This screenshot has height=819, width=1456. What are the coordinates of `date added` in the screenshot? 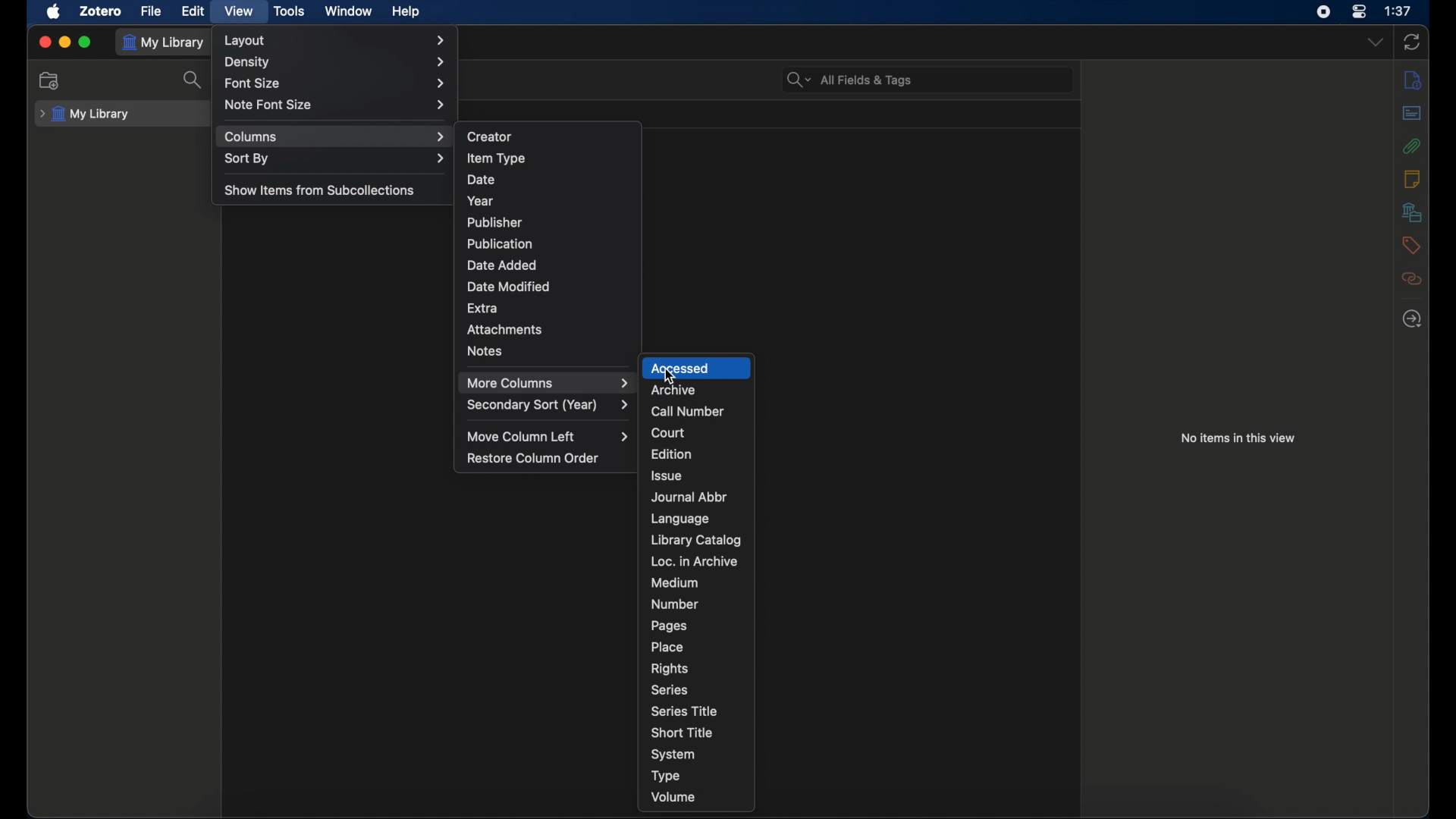 It's located at (501, 264).